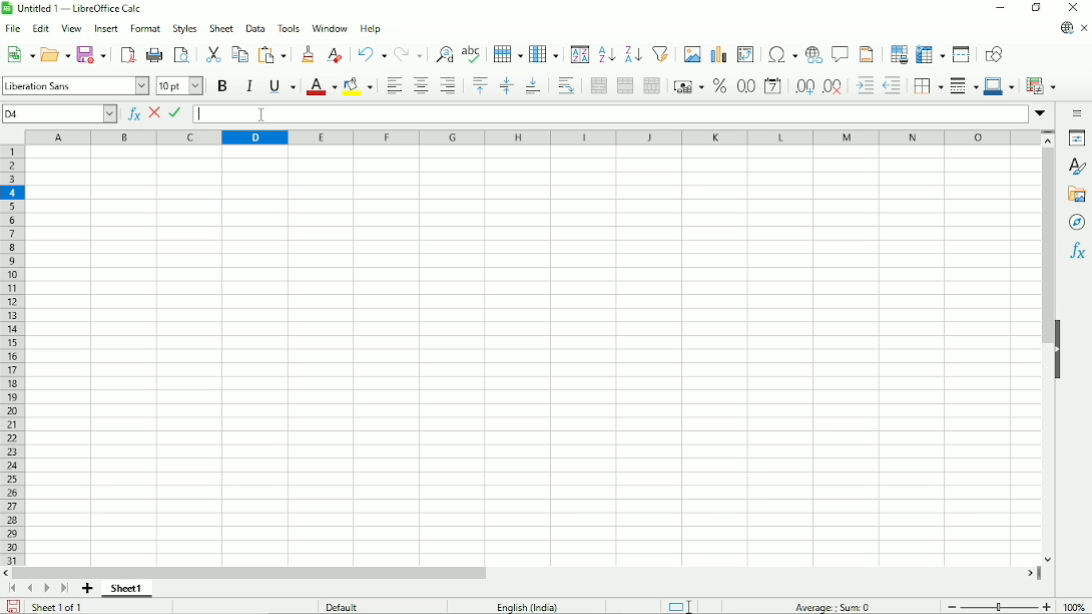  What do you see at coordinates (154, 112) in the screenshot?
I see `Cancel` at bounding box center [154, 112].